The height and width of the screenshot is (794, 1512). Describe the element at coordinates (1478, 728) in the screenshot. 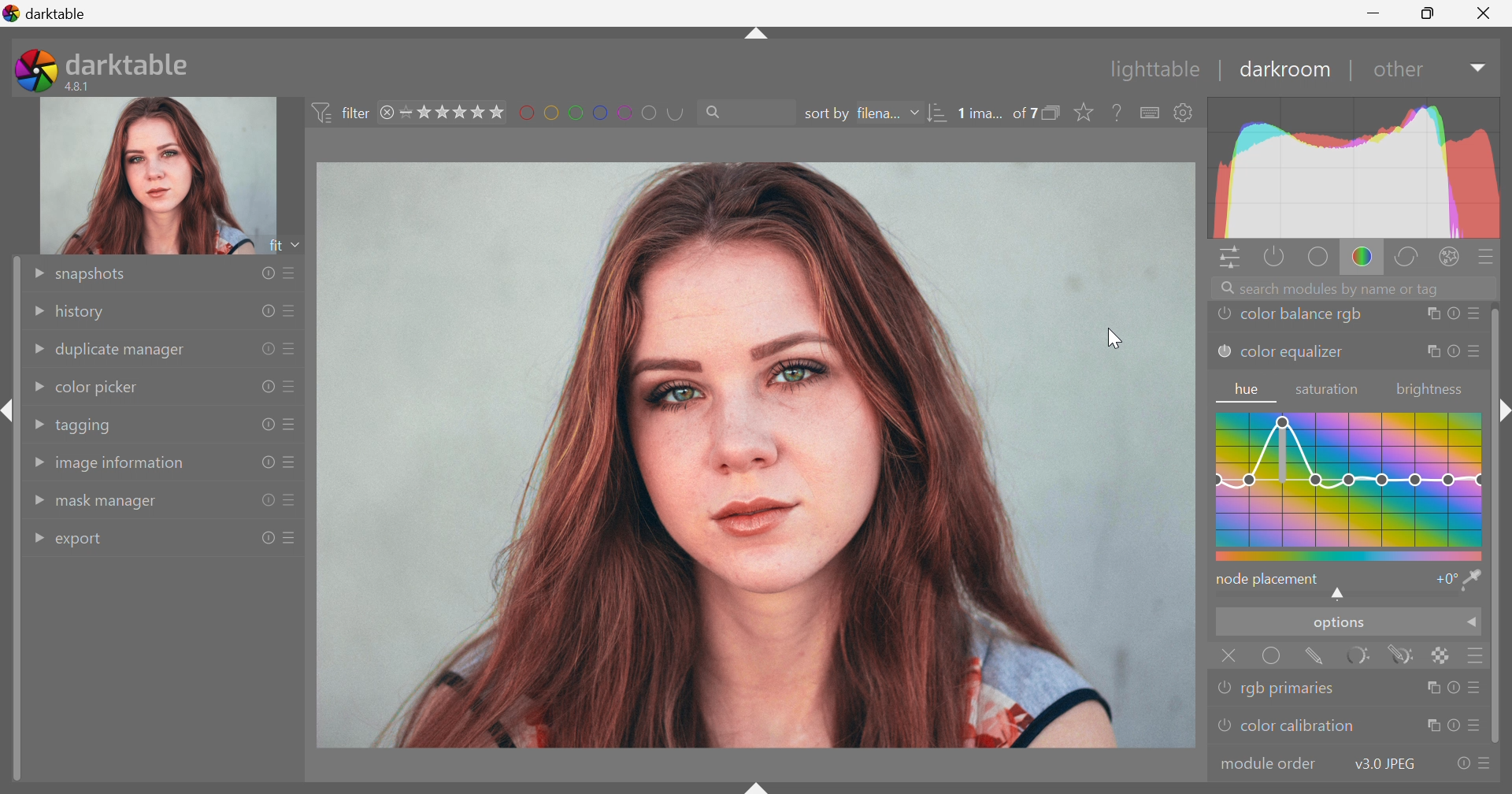

I see `presets` at that location.